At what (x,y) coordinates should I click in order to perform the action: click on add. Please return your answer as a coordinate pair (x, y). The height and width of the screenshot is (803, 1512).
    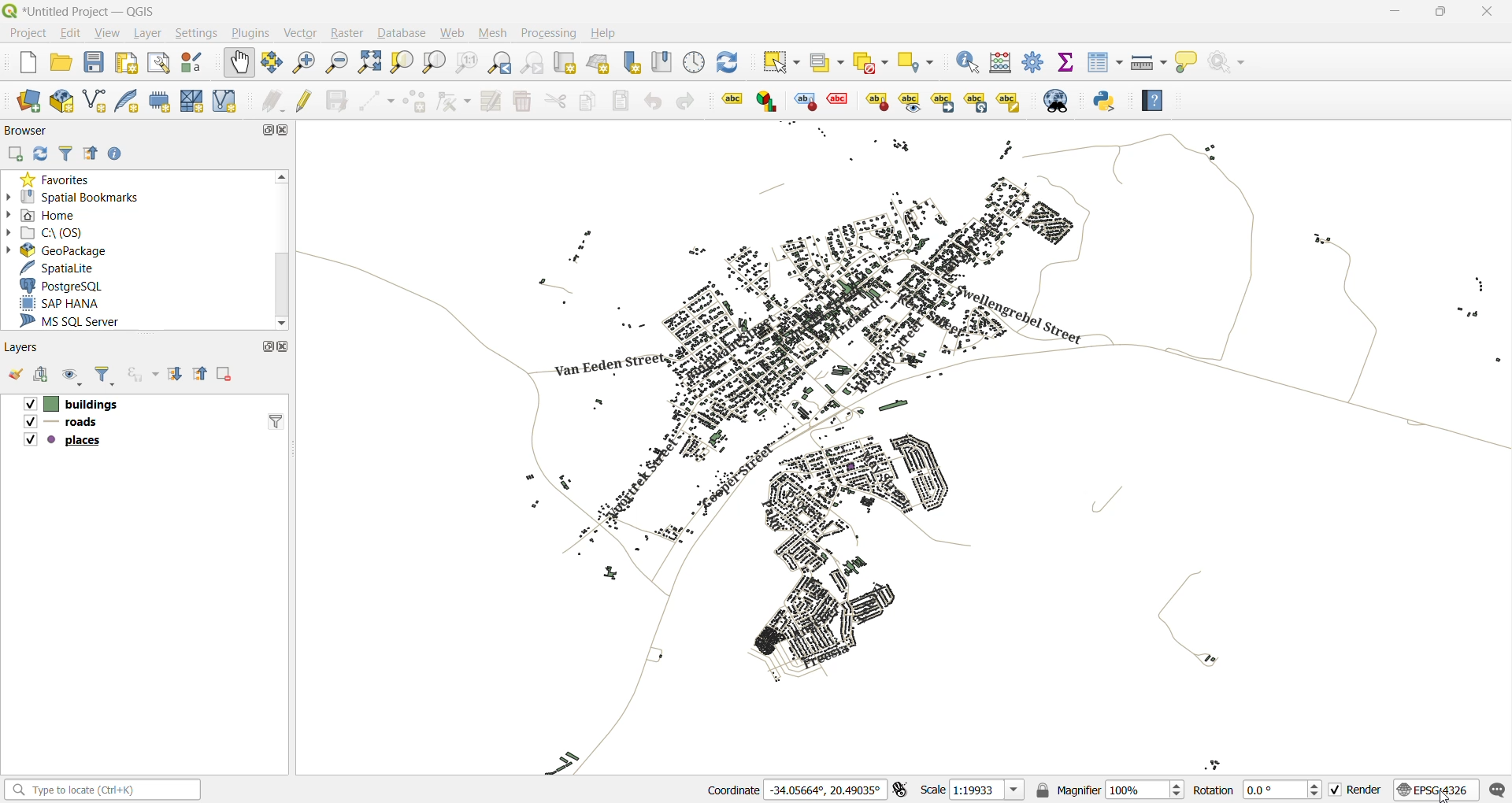
    Looking at the image, I should click on (14, 155).